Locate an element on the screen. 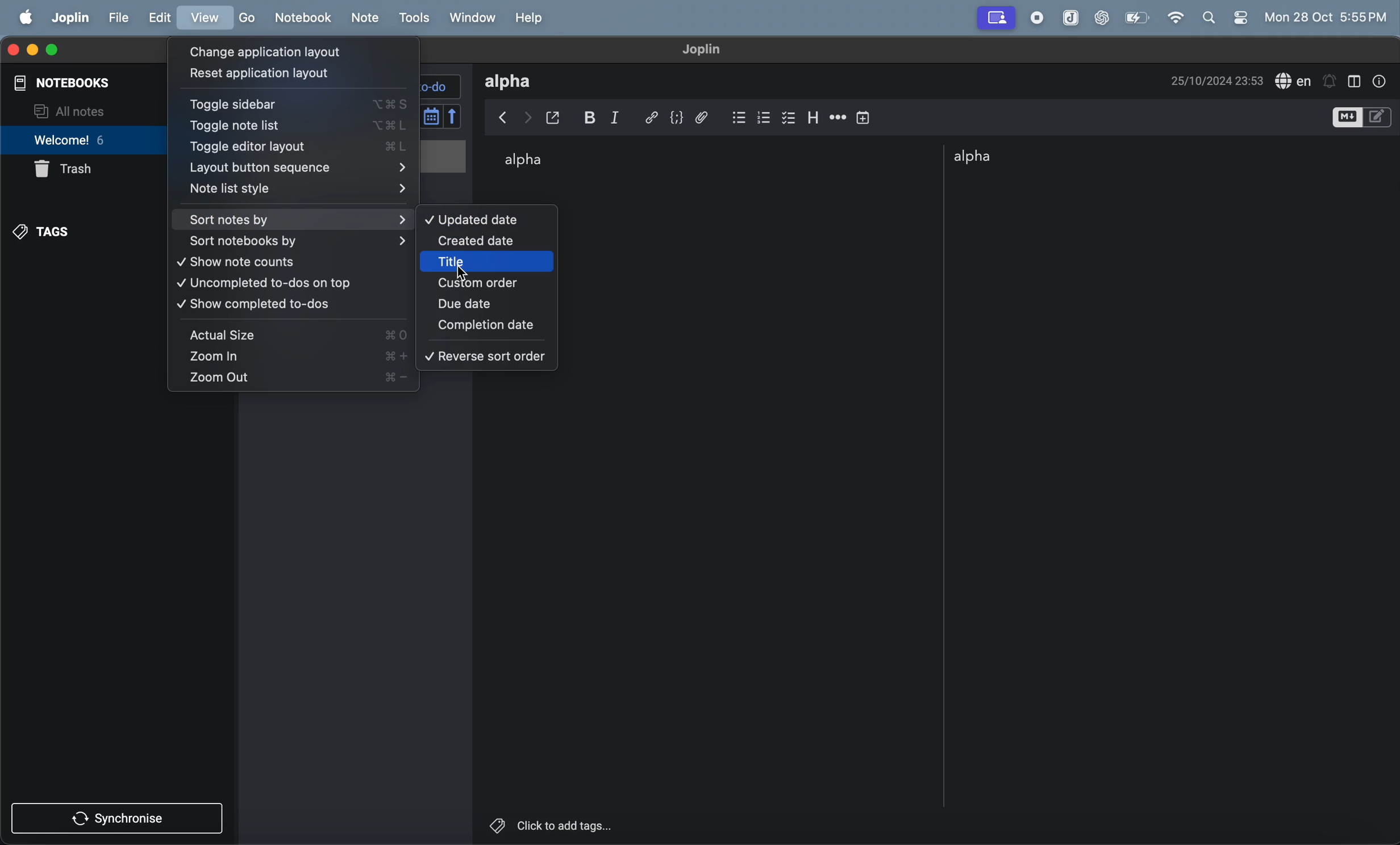 This screenshot has height=845, width=1400. header is located at coordinates (815, 115).